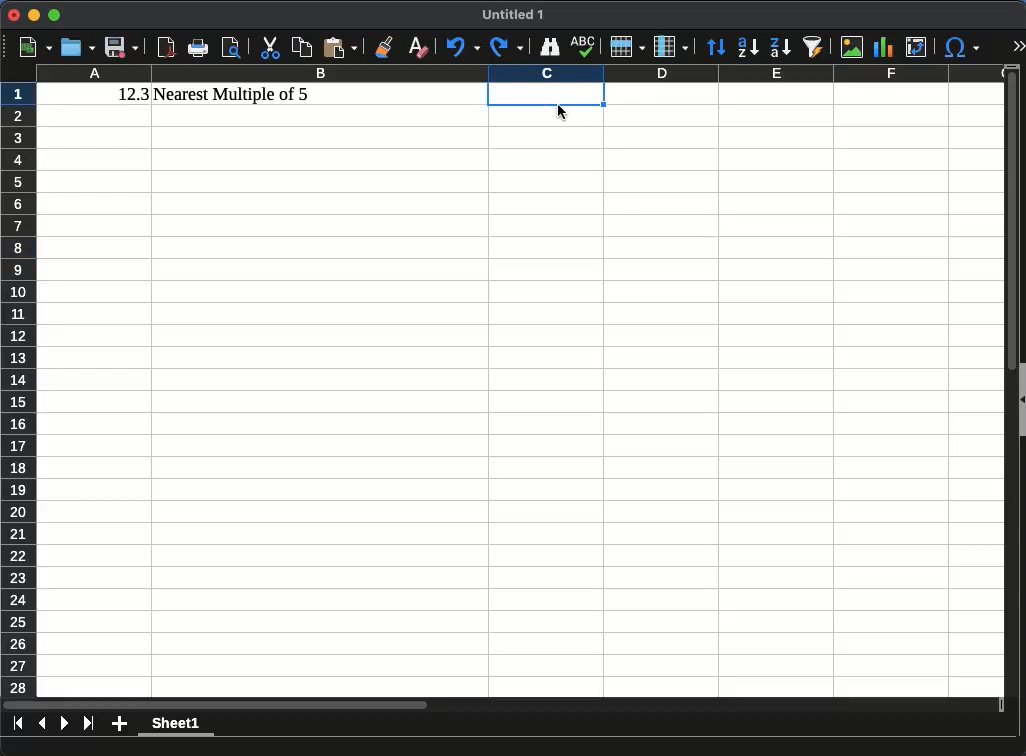  Describe the element at coordinates (167, 48) in the screenshot. I see `pdf reader` at that location.